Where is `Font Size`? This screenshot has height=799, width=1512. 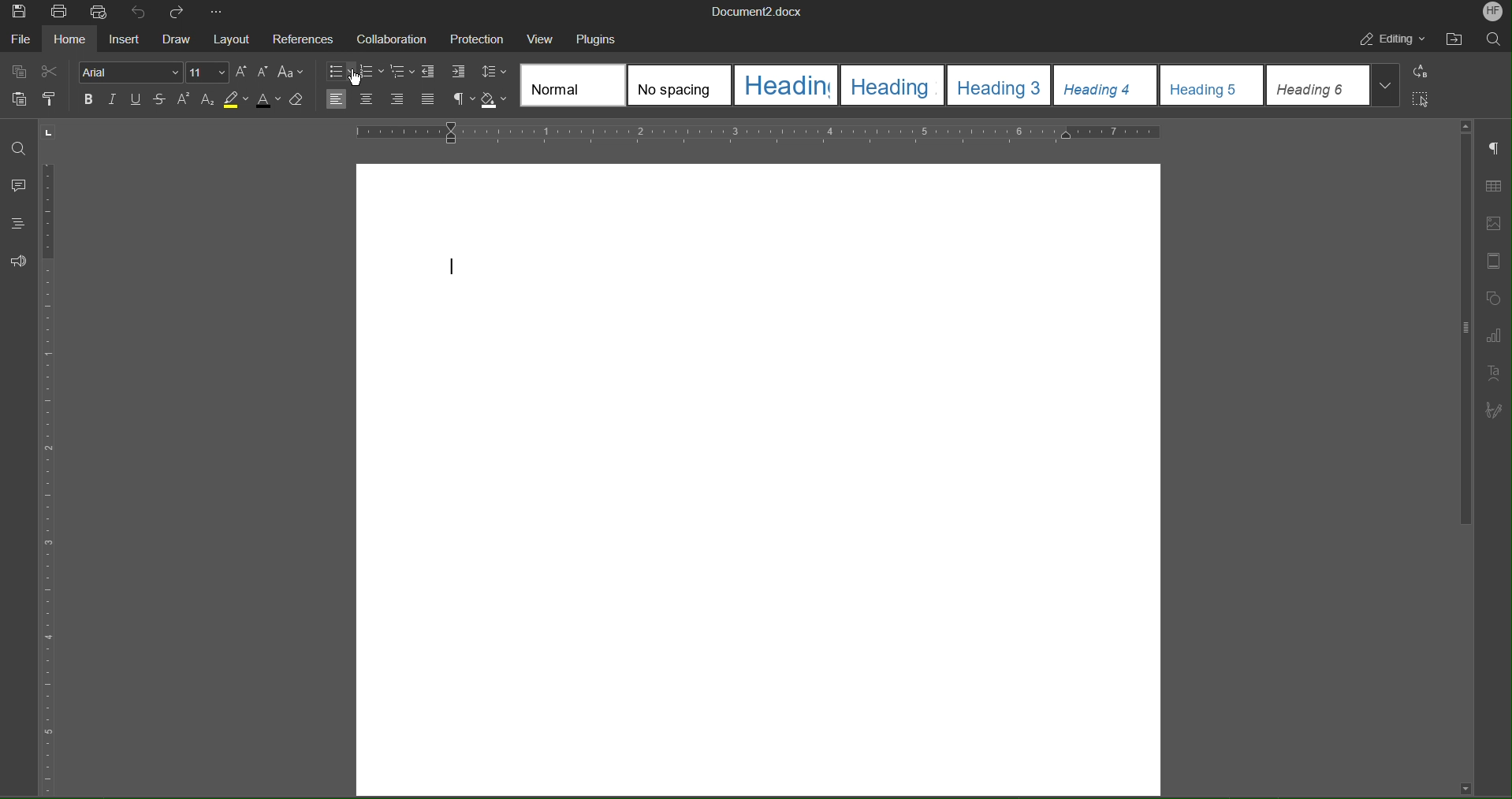 Font Size is located at coordinates (207, 72).